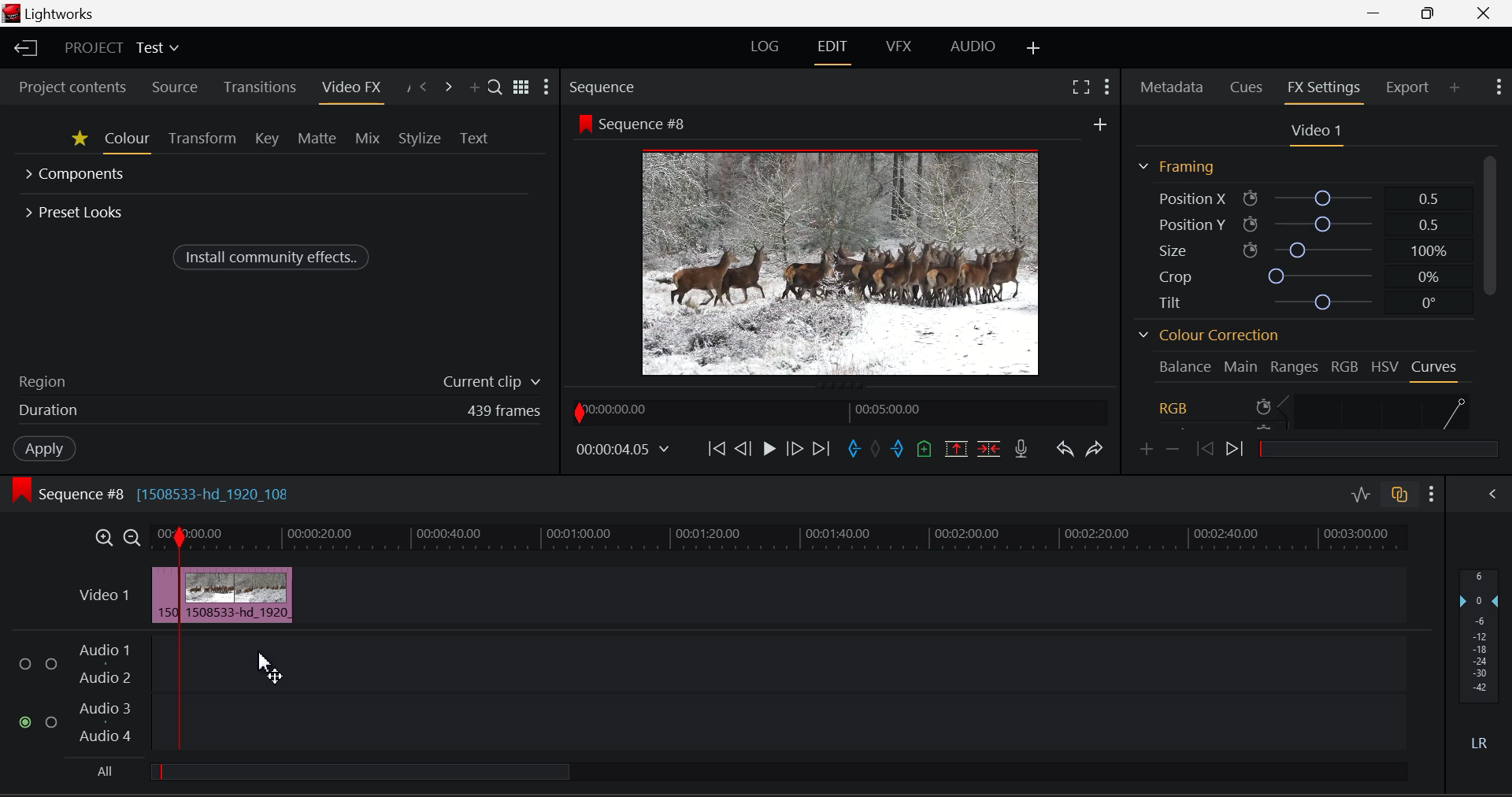 The height and width of the screenshot is (797, 1512). I want to click on Remove Marked Section, so click(958, 448).